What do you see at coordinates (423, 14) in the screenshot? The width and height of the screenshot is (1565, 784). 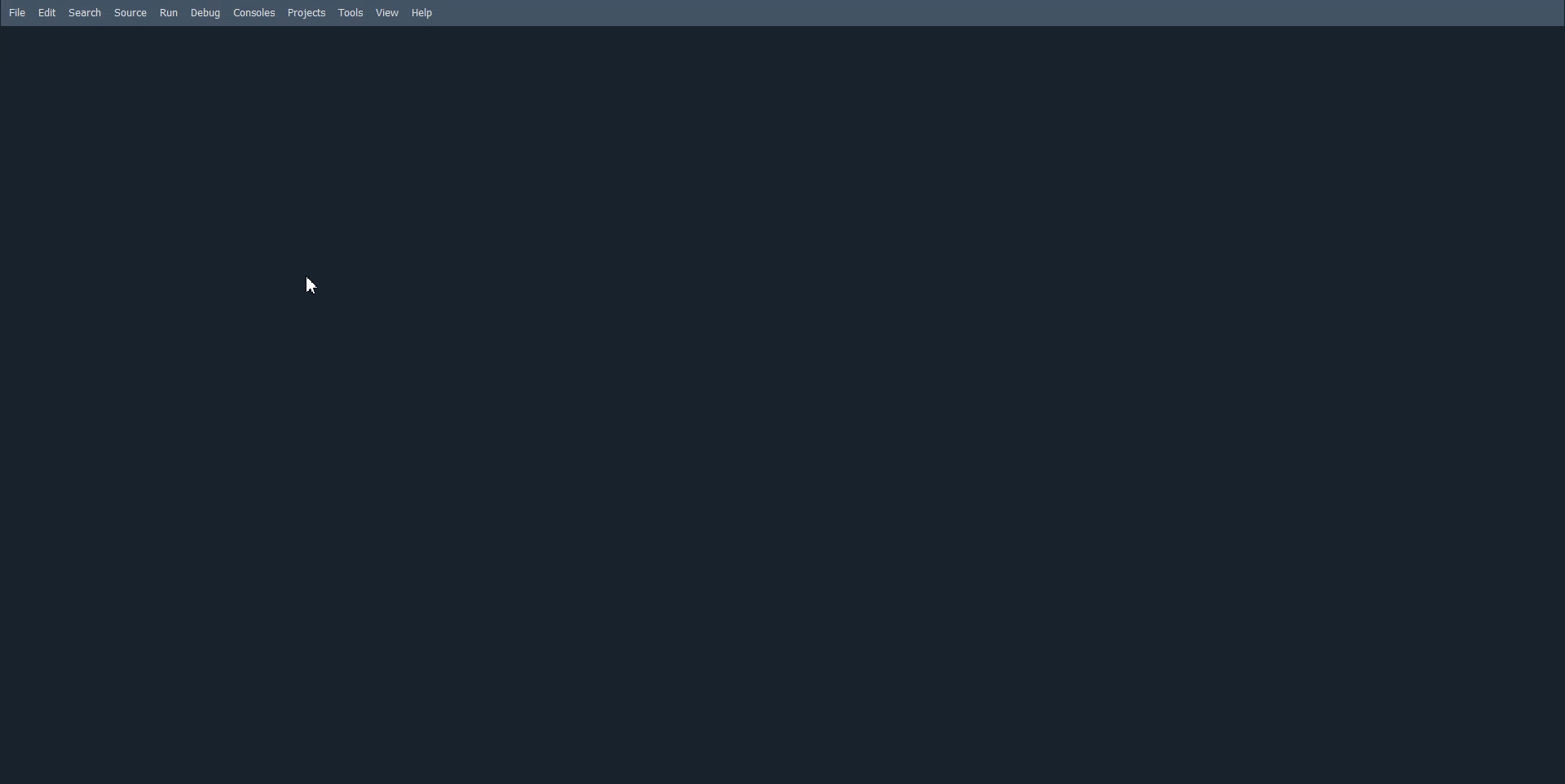 I see `Help` at bounding box center [423, 14].